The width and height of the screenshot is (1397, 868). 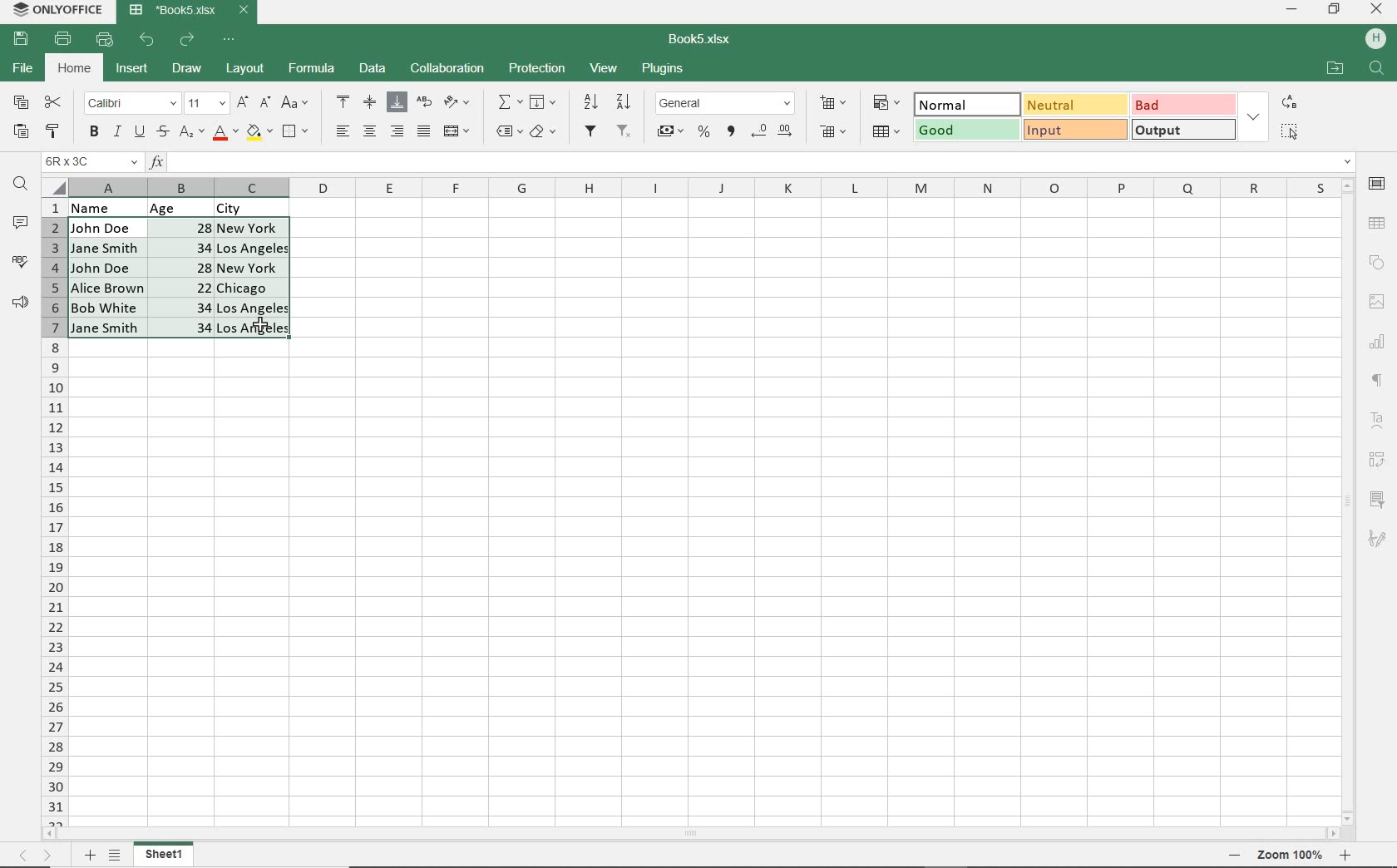 I want to click on GOOD, so click(x=965, y=131).